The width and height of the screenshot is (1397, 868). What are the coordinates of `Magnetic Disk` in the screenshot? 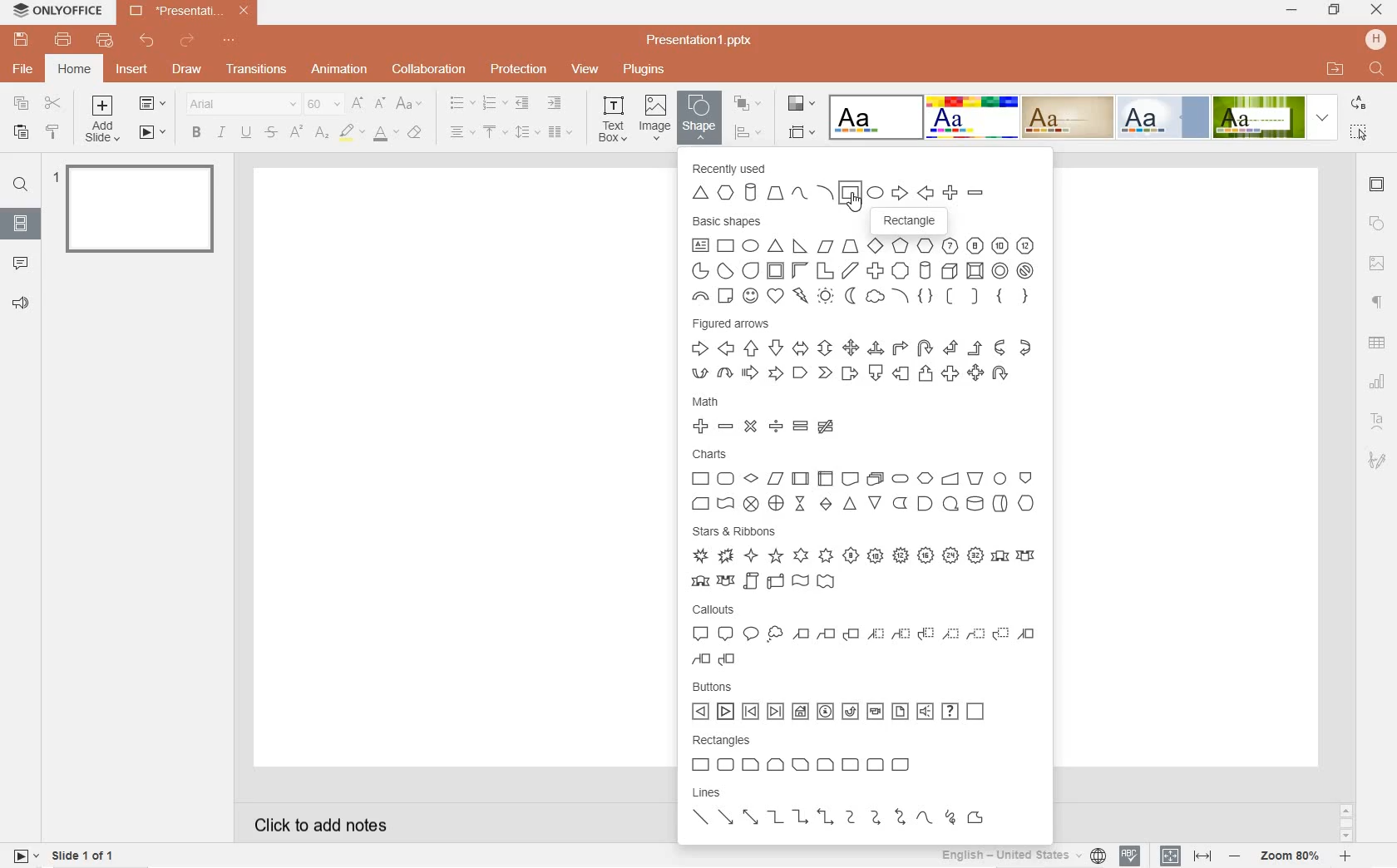 It's located at (975, 503).